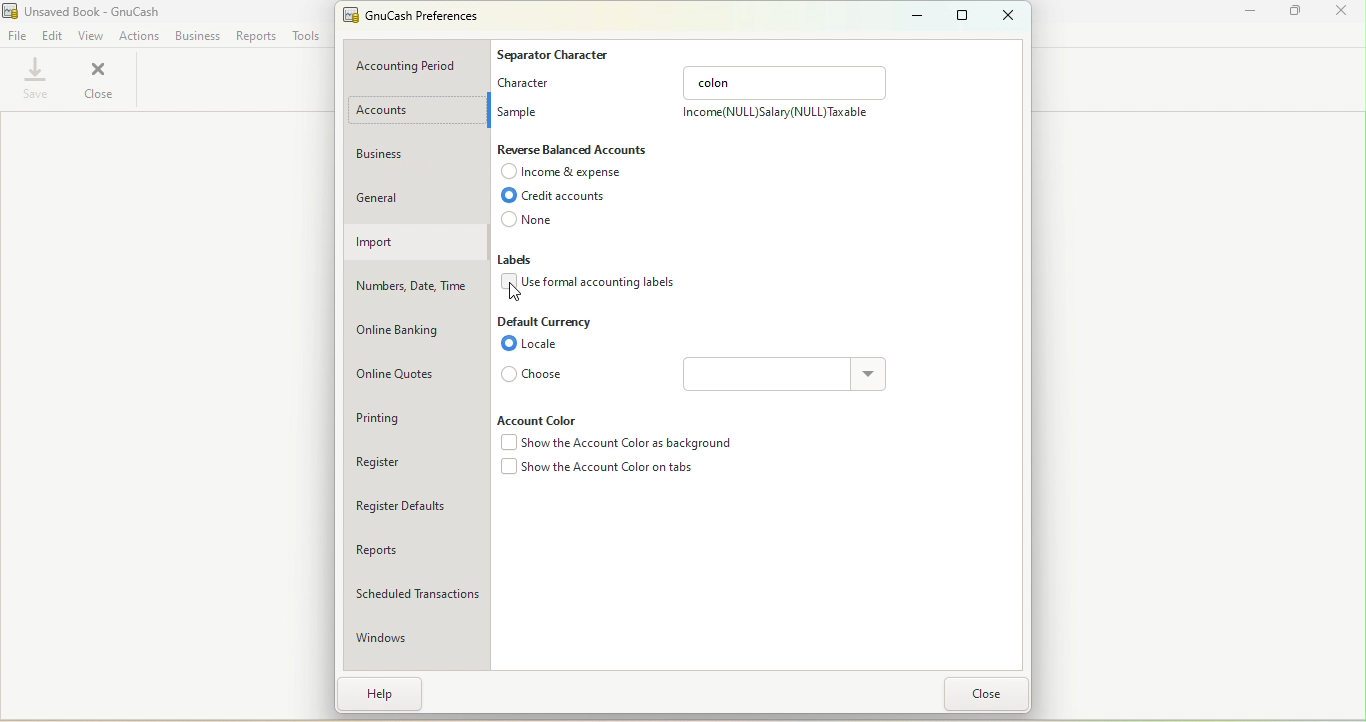  I want to click on Accounting period, so click(419, 64).